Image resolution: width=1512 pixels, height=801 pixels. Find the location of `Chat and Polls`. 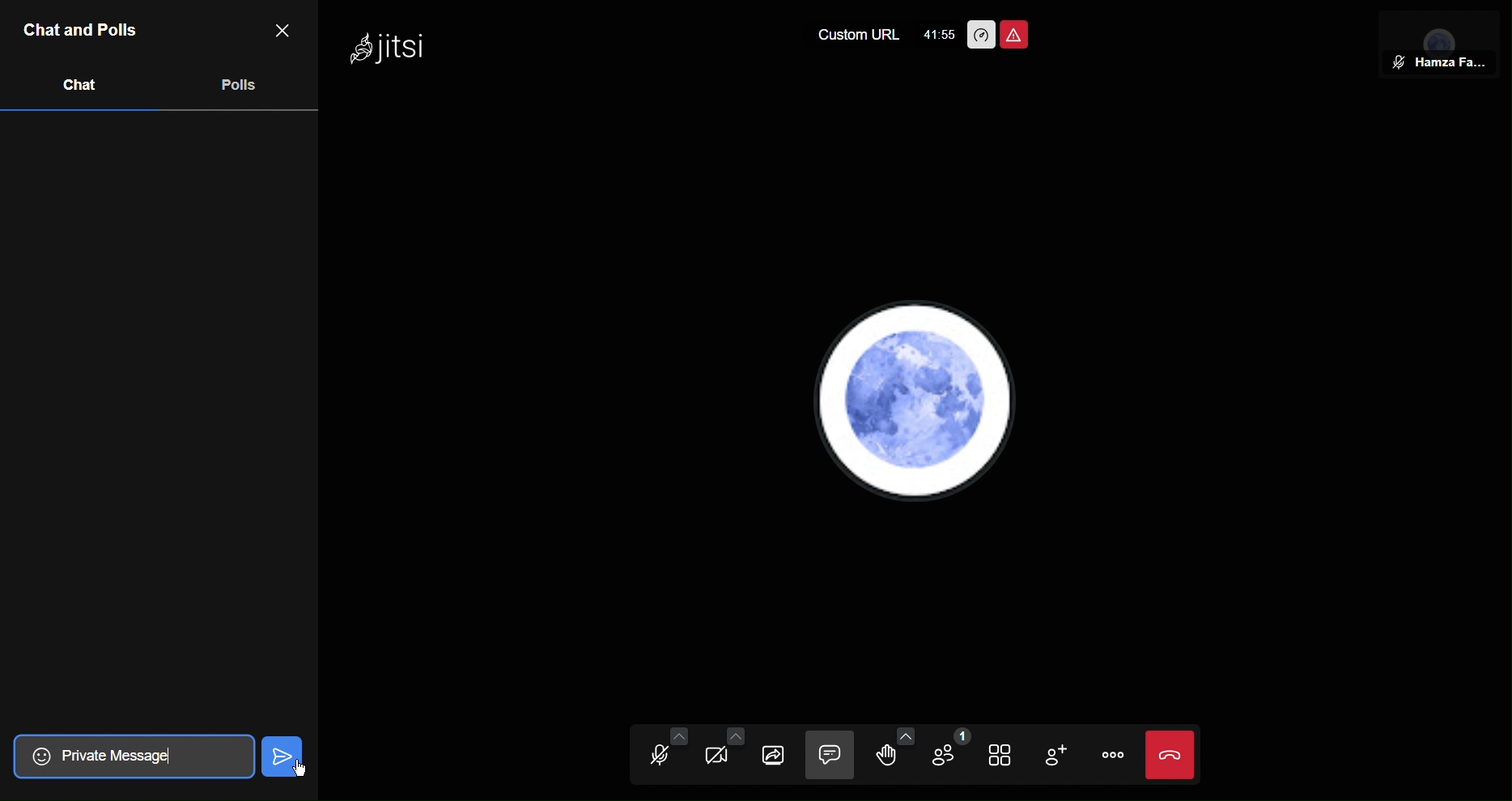

Chat and Polls is located at coordinates (81, 32).